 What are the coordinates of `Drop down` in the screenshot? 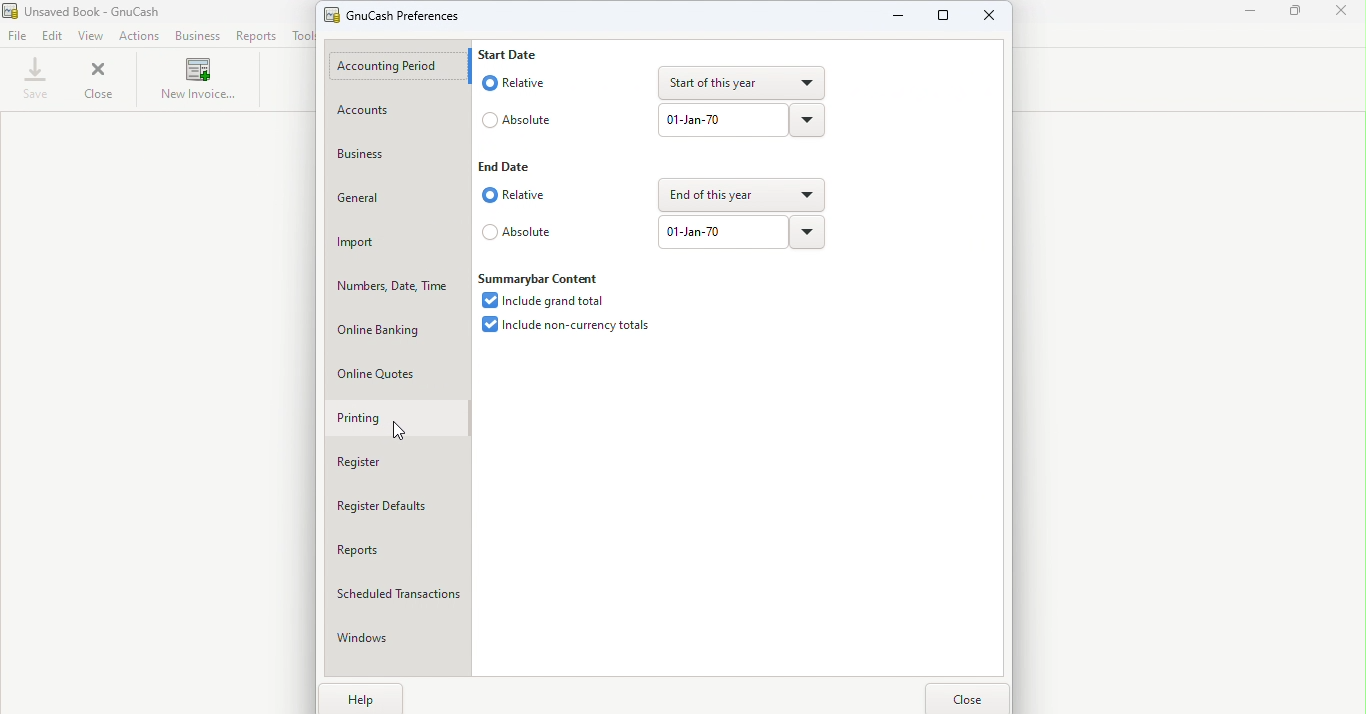 It's located at (810, 234).